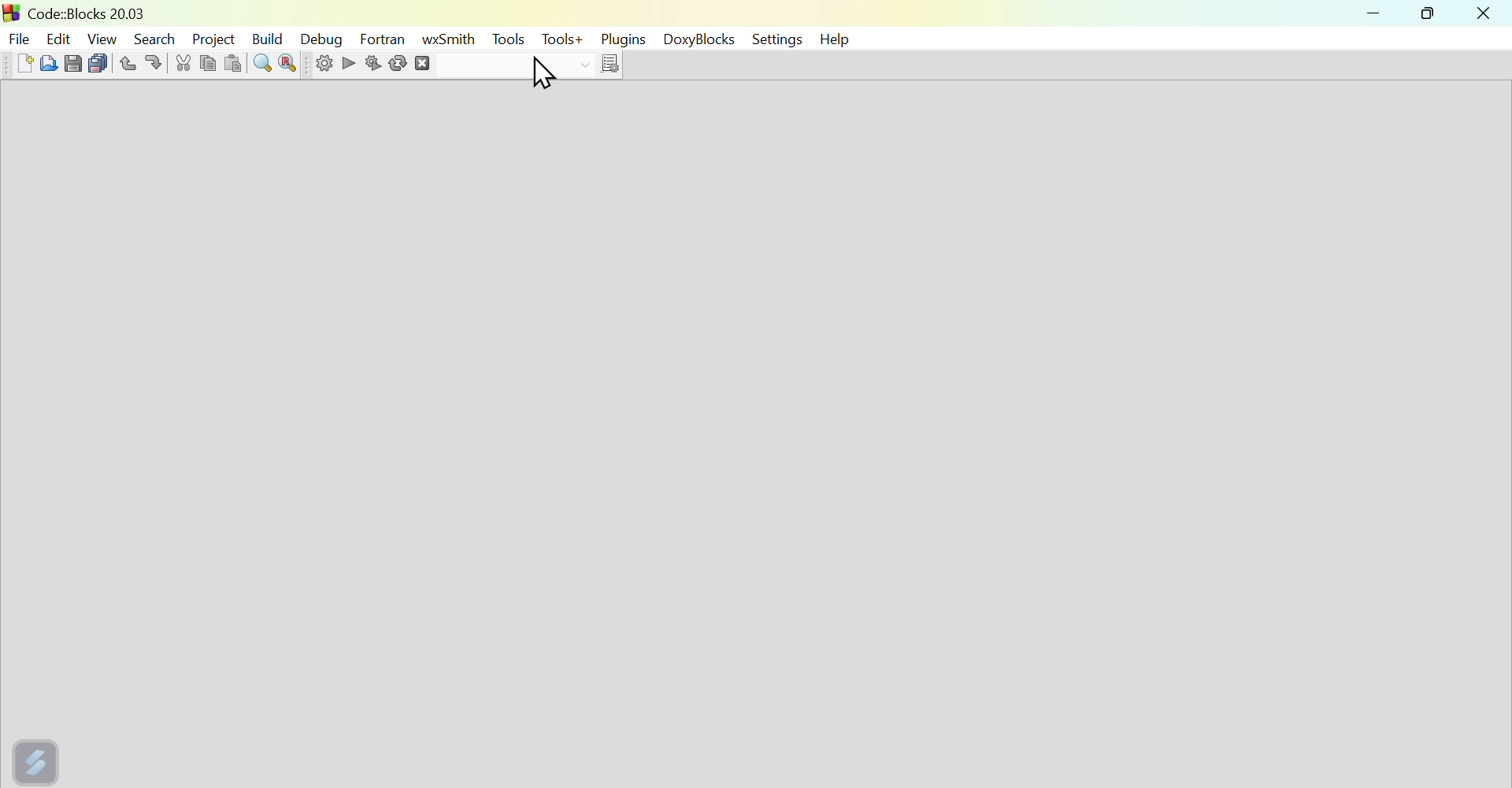 This screenshot has width=1512, height=788. What do you see at coordinates (39, 759) in the screenshot?
I see `screexpert` at bounding box center [39, 759].